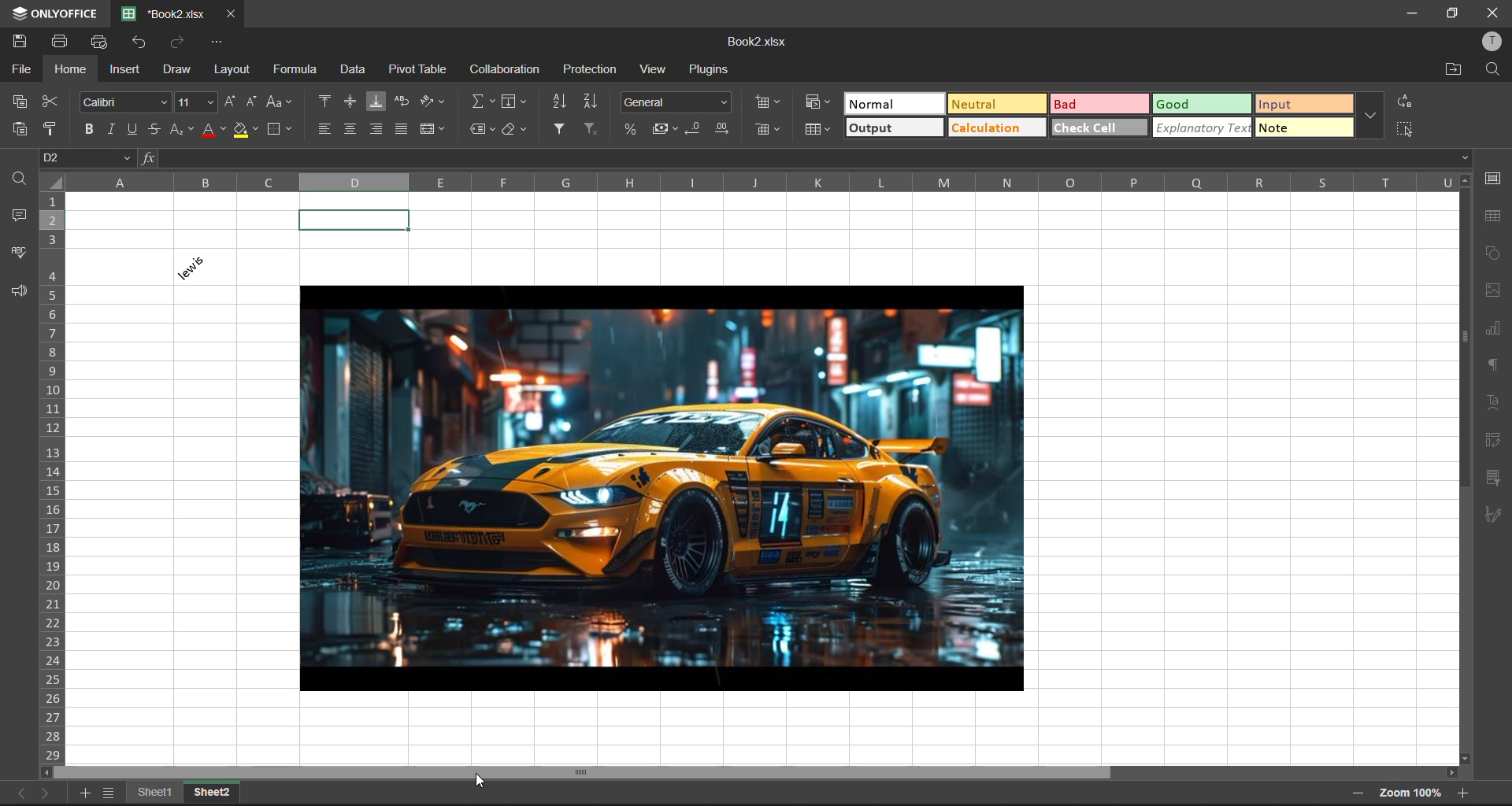  I want to click on print, so click(66, 42).